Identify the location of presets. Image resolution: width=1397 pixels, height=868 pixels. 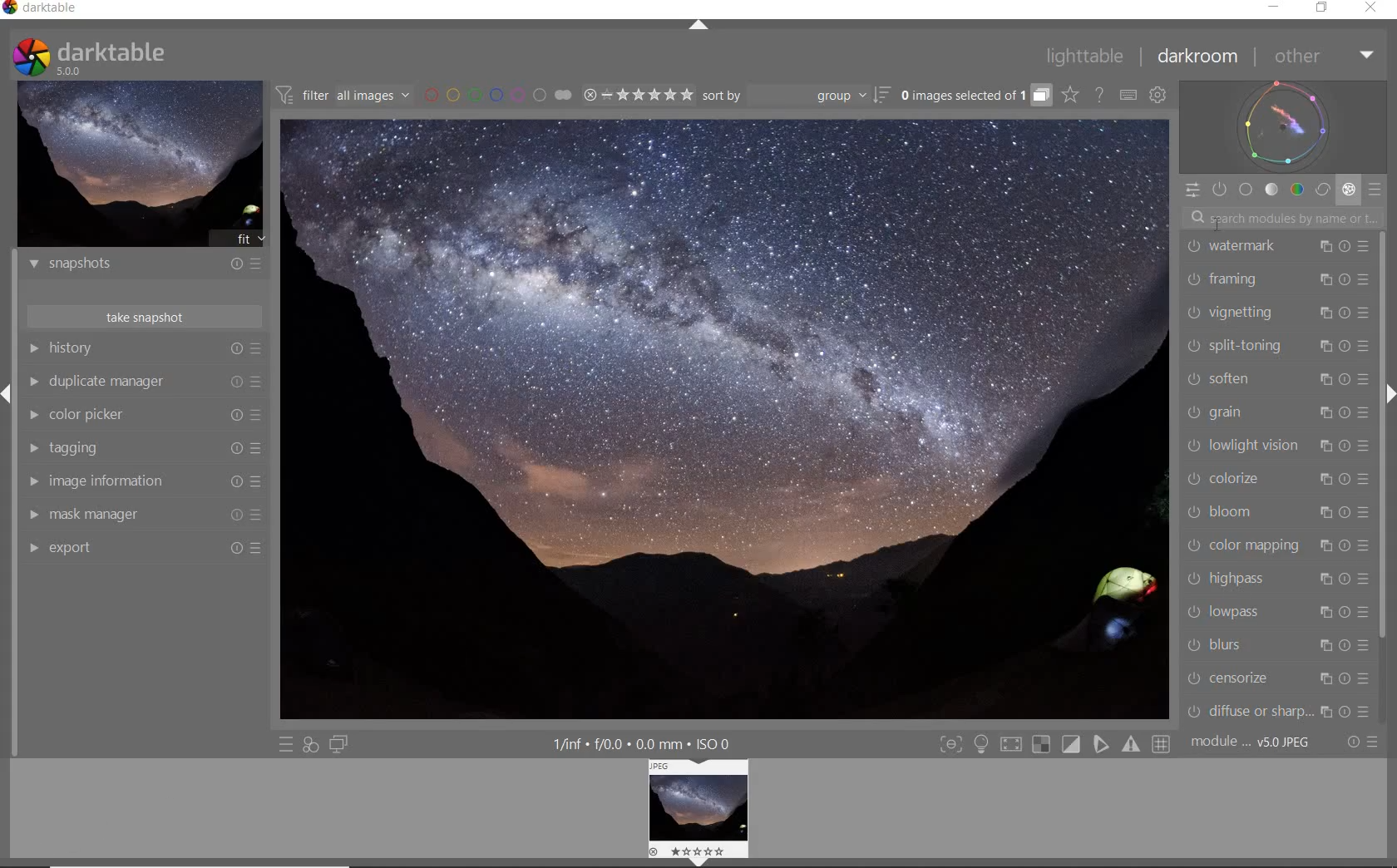
(1364, 579).